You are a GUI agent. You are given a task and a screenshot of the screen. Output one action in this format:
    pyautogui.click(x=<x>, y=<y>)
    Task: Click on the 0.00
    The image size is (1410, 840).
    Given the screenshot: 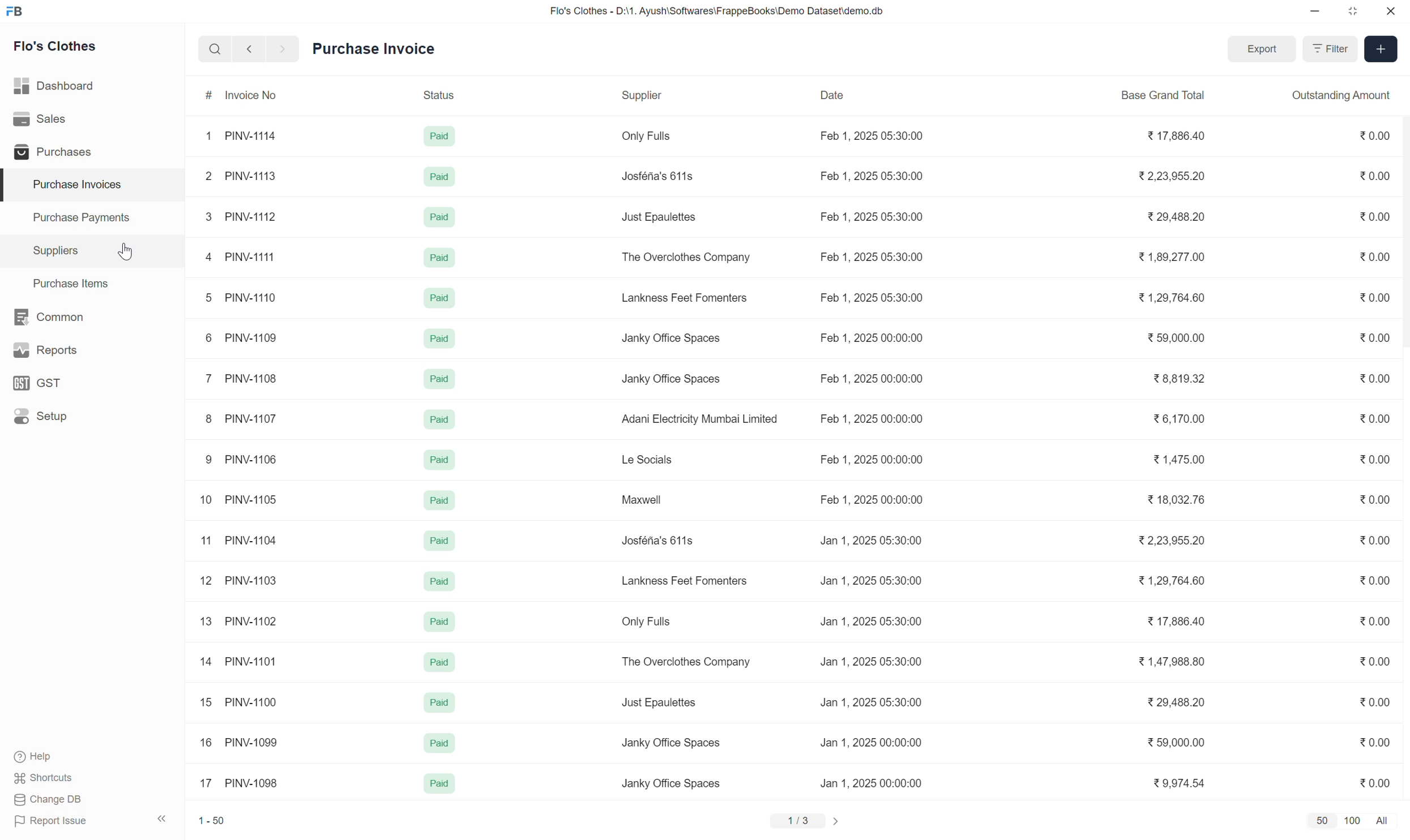 What is the action you would take?
    pyautogui.click(x=1375, y=176)
    